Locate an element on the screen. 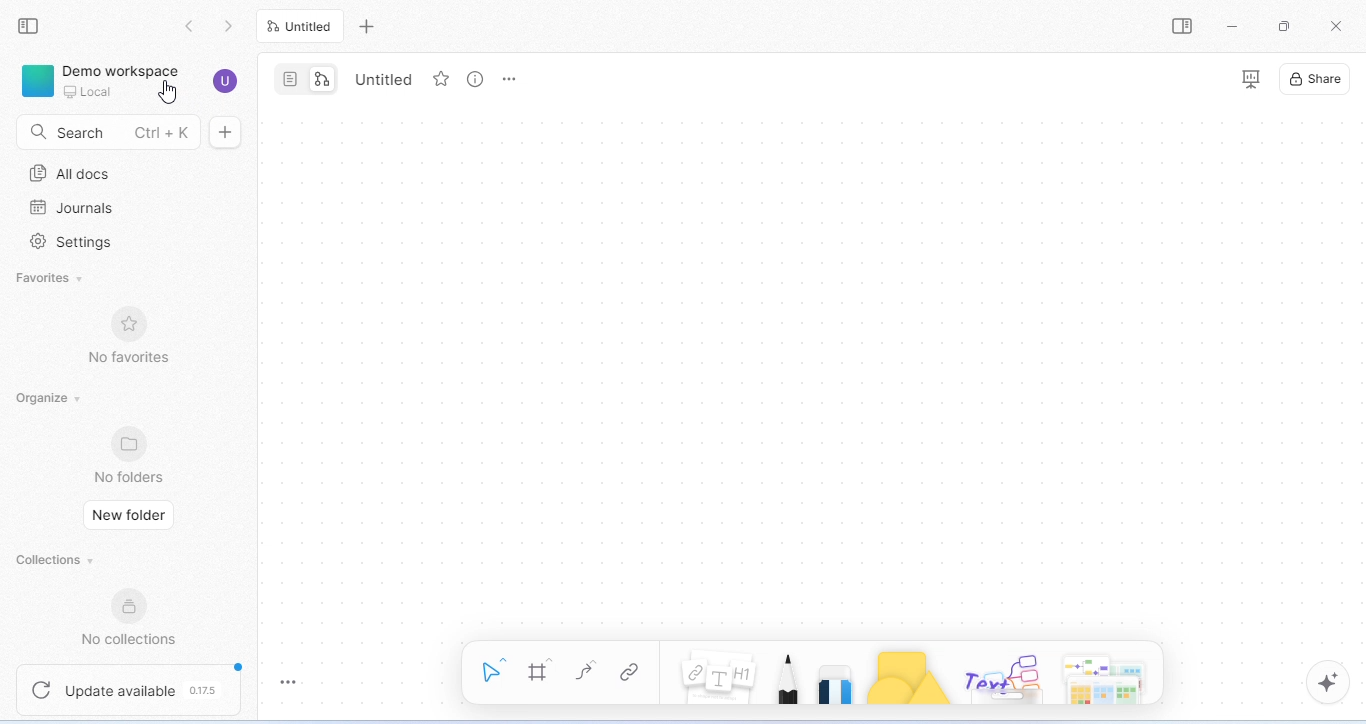 This screenshot has height=724, width=1366. frame is located at coordinates (542, 671).